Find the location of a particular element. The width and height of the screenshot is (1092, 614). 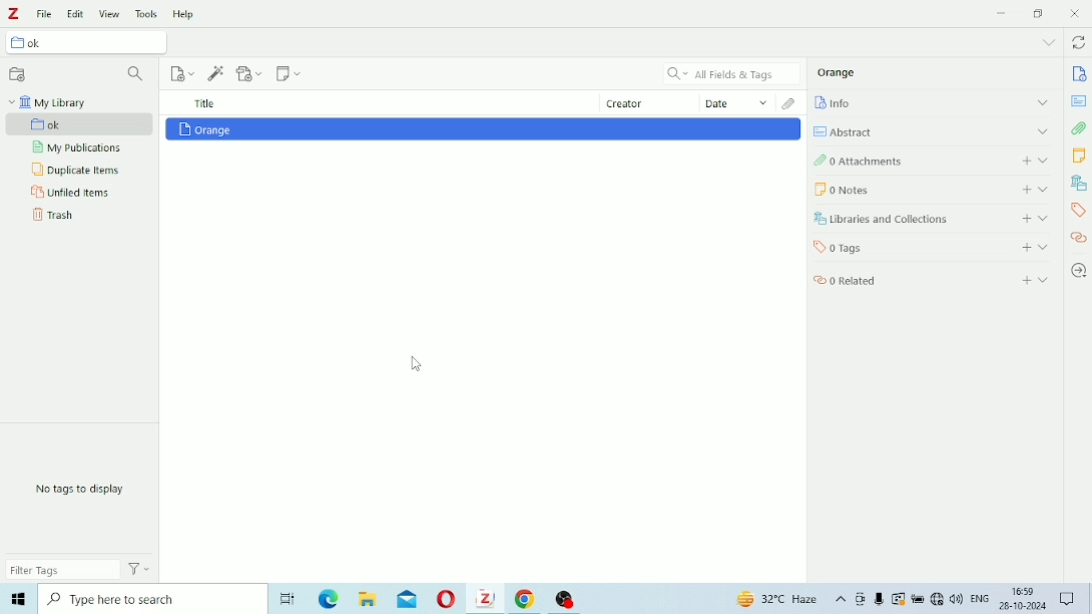

Microsoft Edge is located at coordinates (17, 599).